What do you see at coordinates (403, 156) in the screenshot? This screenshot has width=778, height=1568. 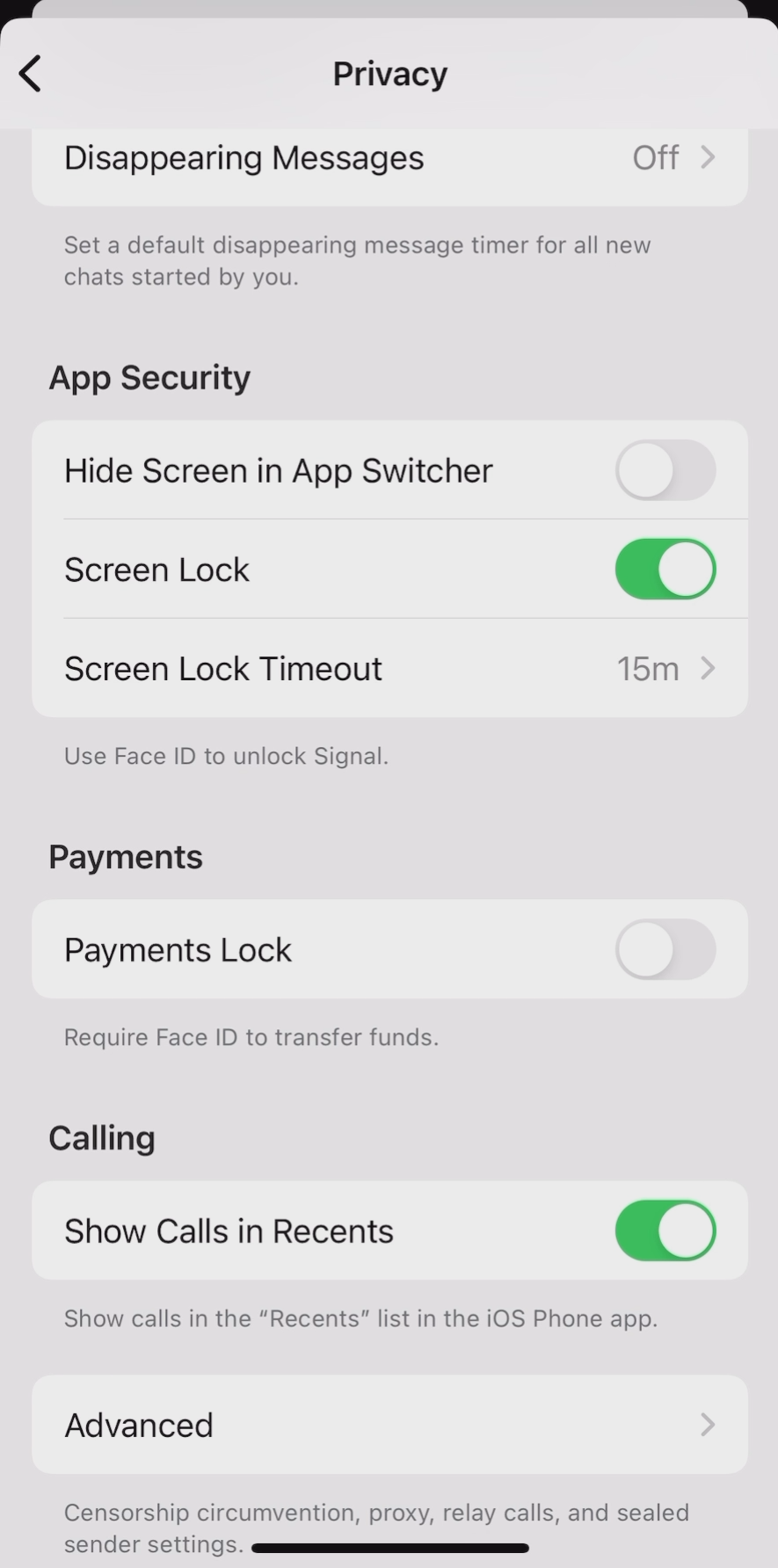 I see `Disappearing Messages` at bounding box center [403, 156].